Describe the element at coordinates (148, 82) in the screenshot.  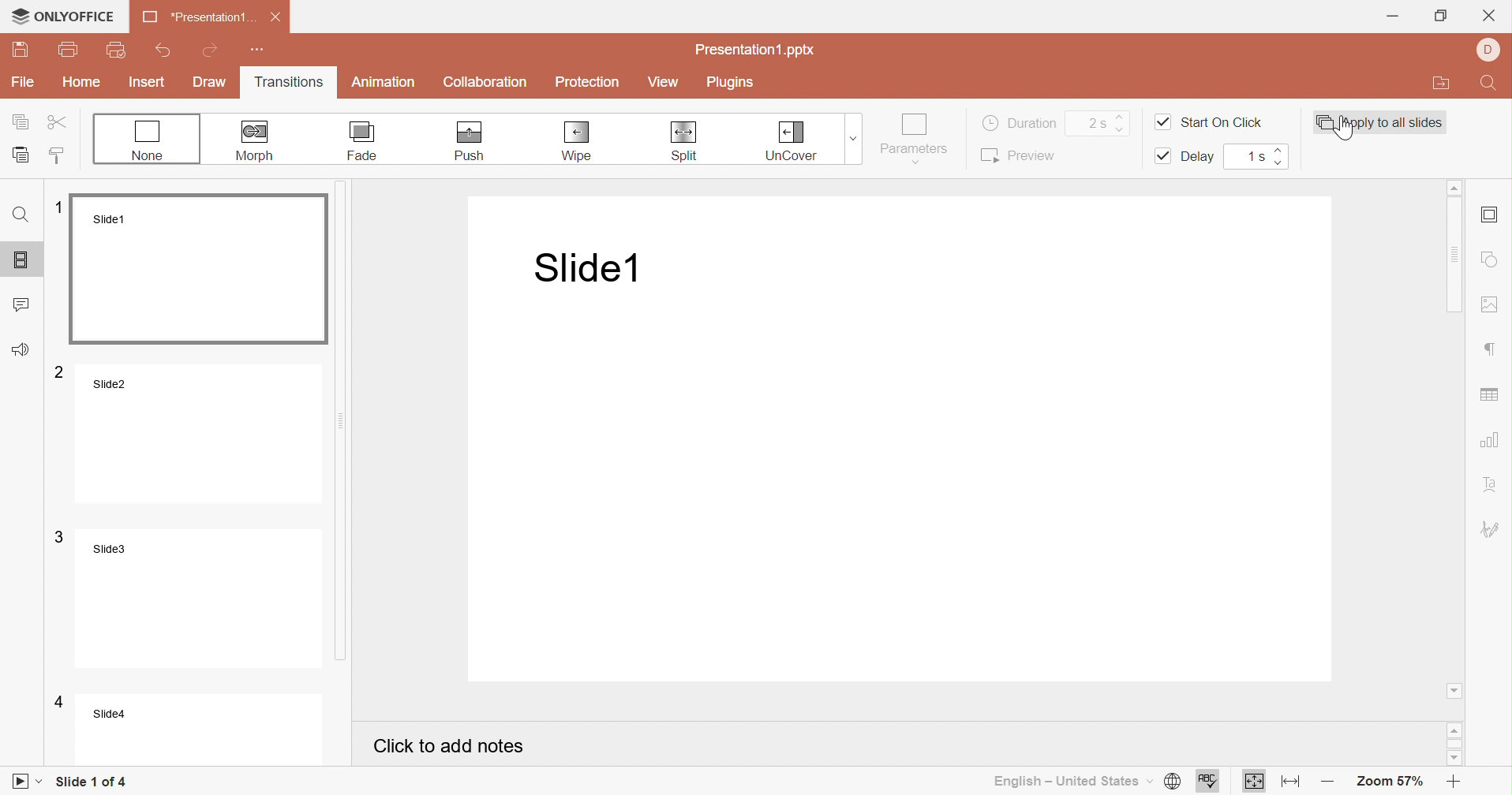
I see `Insert` at that location.